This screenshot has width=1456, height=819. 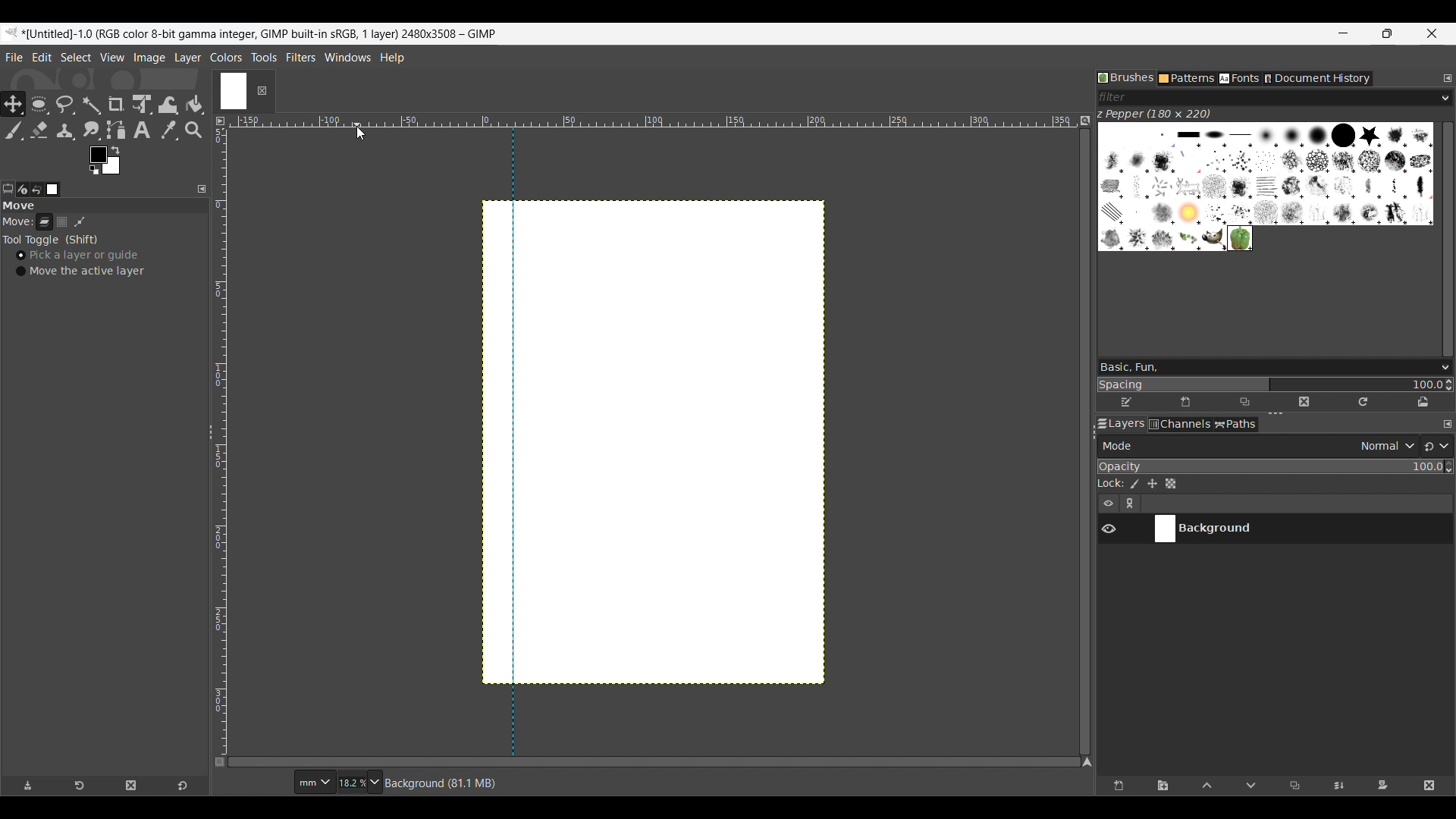 What do you see at coordinates (39, 190) in the screenshot?
I see `Undo history` at bounding box center [39, 190].